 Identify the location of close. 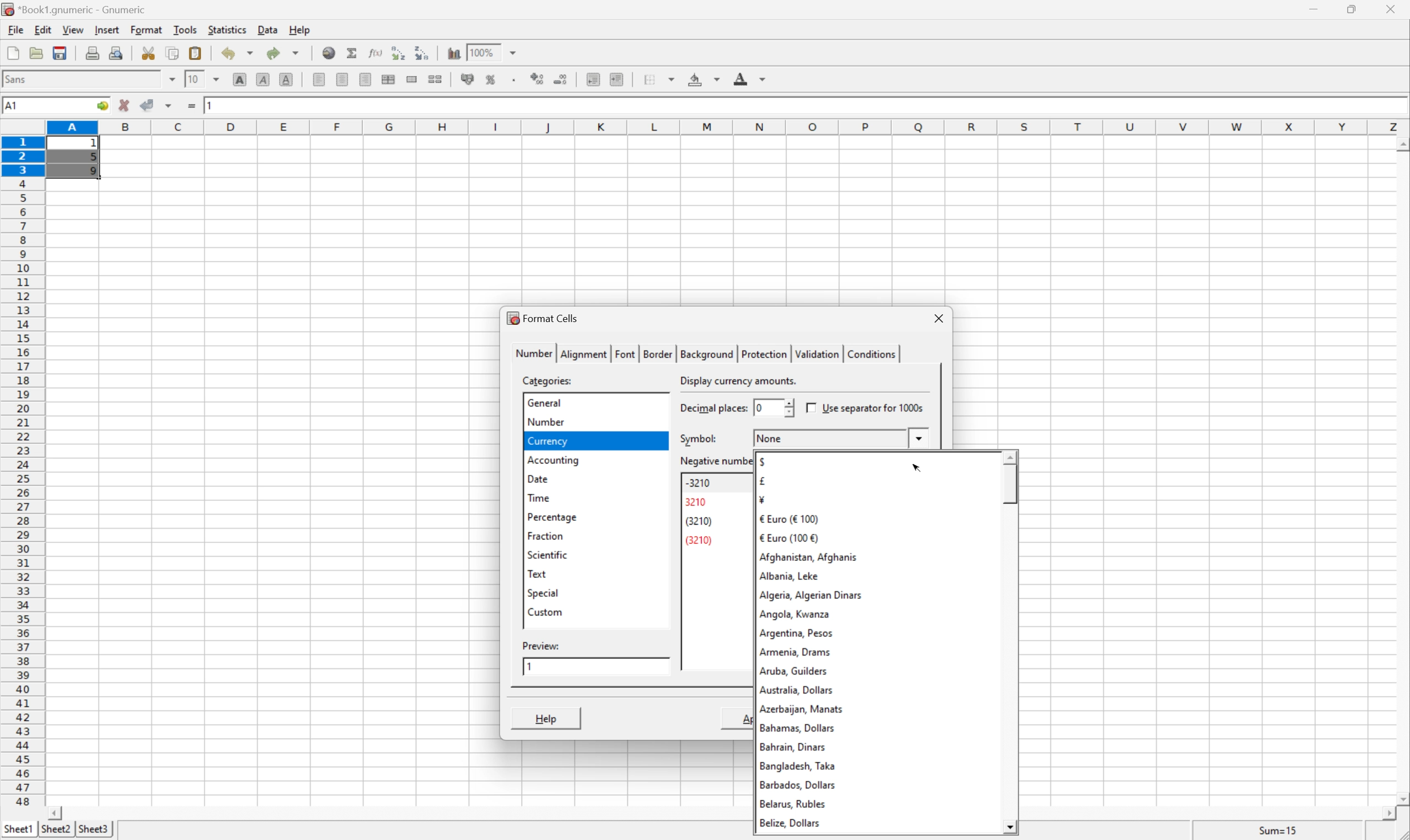
(1397, 9).